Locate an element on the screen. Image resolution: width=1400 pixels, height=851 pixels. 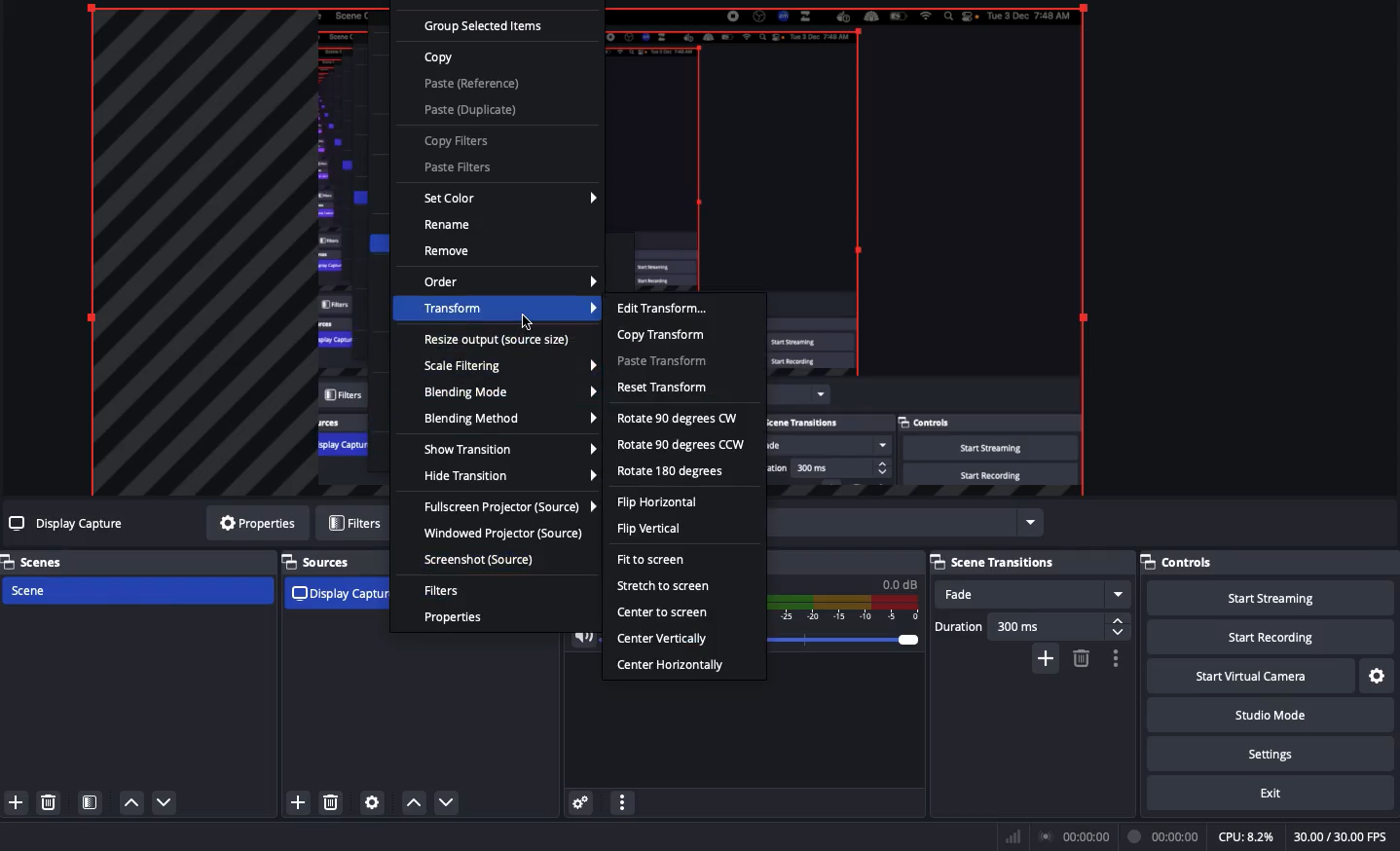
Set color is located at coordinates (508, 197).